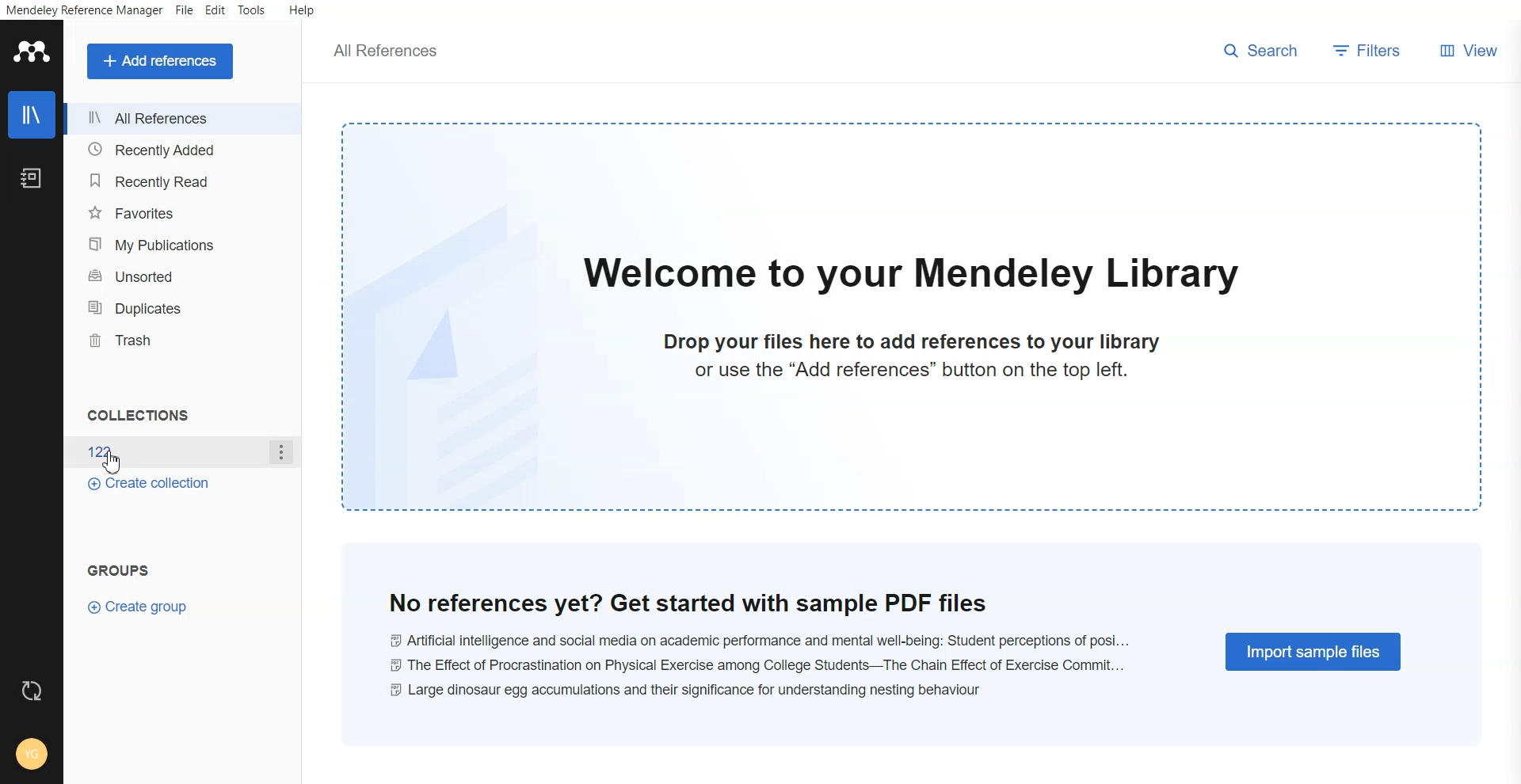 This screenshot has width=1521, height=784. What do you see at coordinates (302, 10) in the screenshot?
I see `Help` at bounding box center [302, 10].